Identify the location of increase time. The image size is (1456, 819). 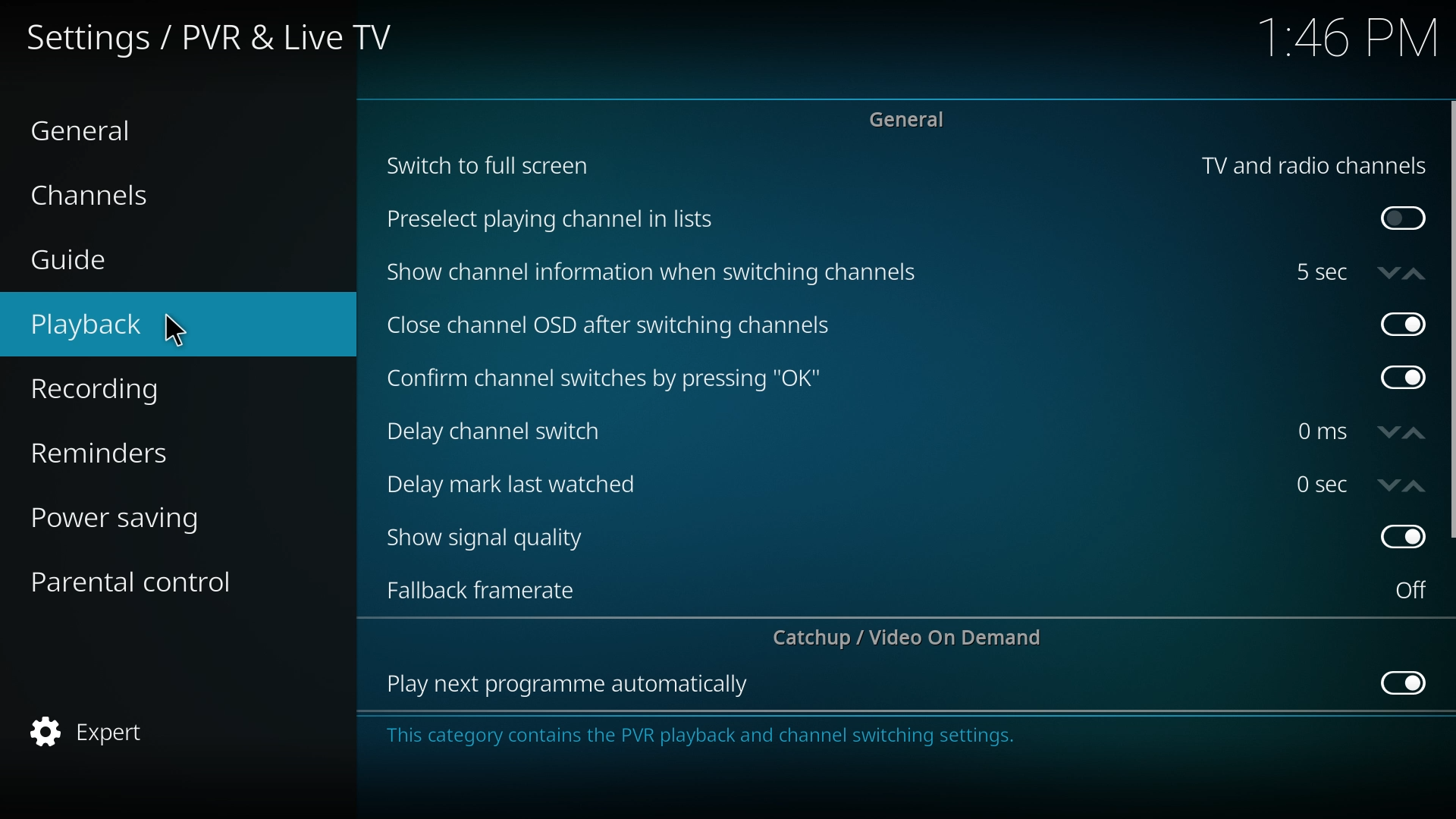
(1415, 434).